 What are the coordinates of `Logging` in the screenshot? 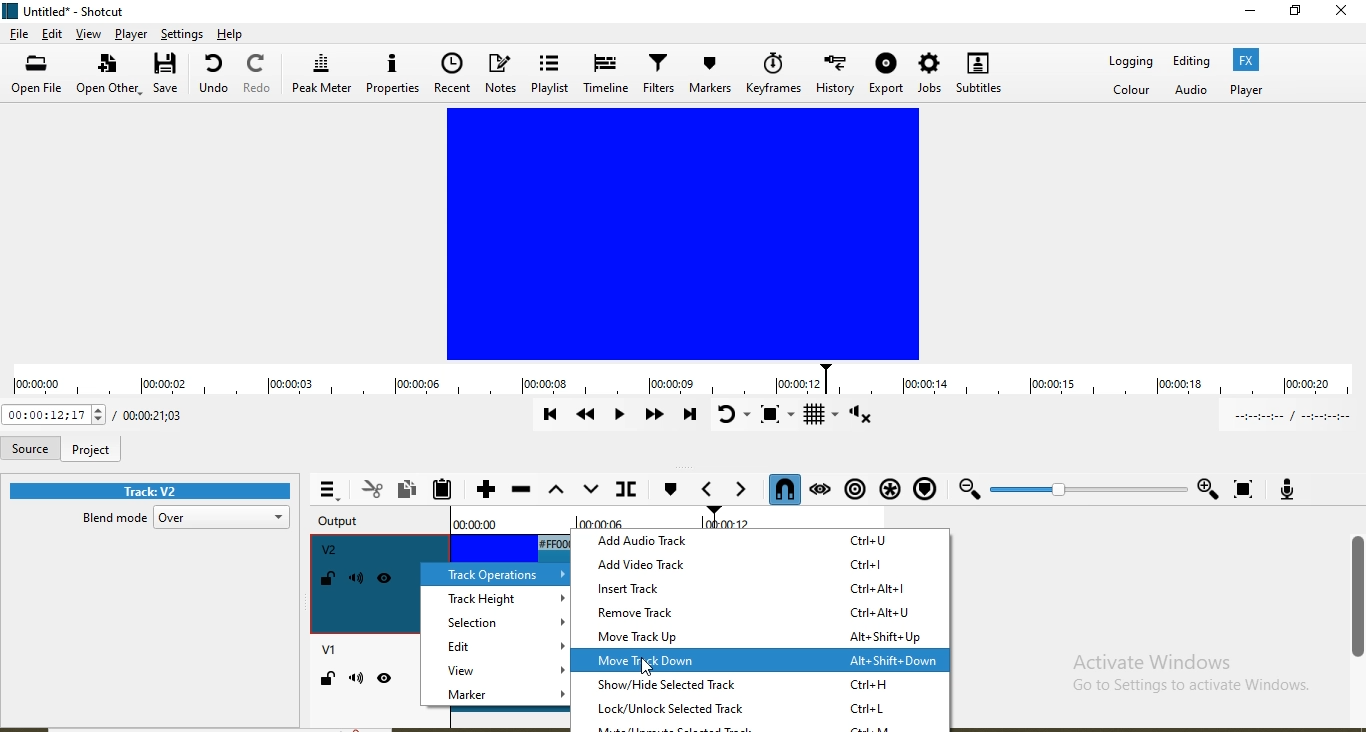 It's located at (1128, 63).